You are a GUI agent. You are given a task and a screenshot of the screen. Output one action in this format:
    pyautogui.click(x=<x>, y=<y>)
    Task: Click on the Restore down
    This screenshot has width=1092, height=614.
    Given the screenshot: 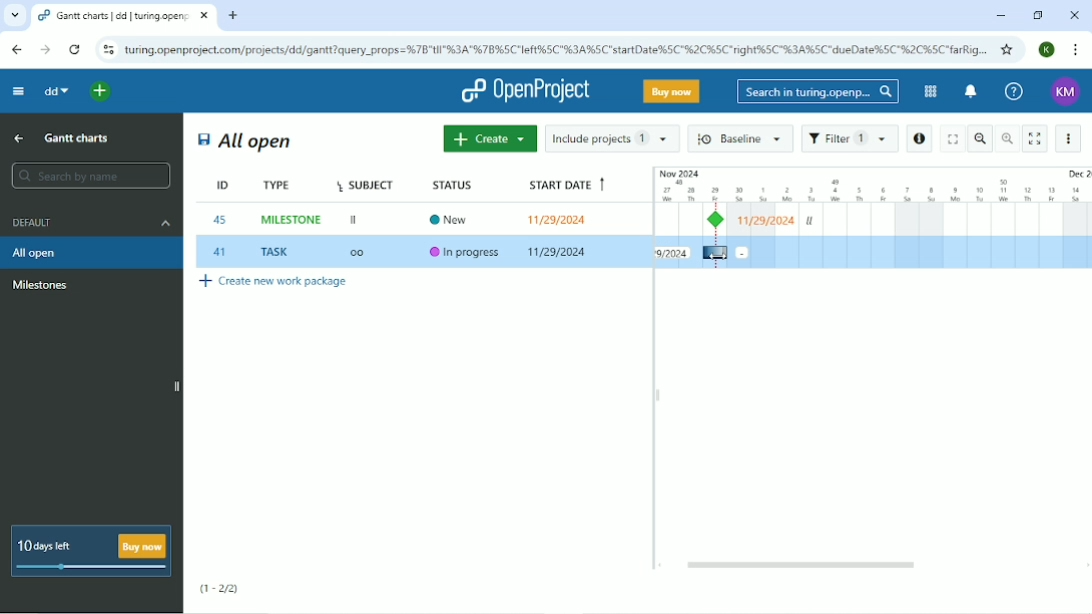 What is the action you would take?
    pyautogui.click(x=1039, y=16)
    